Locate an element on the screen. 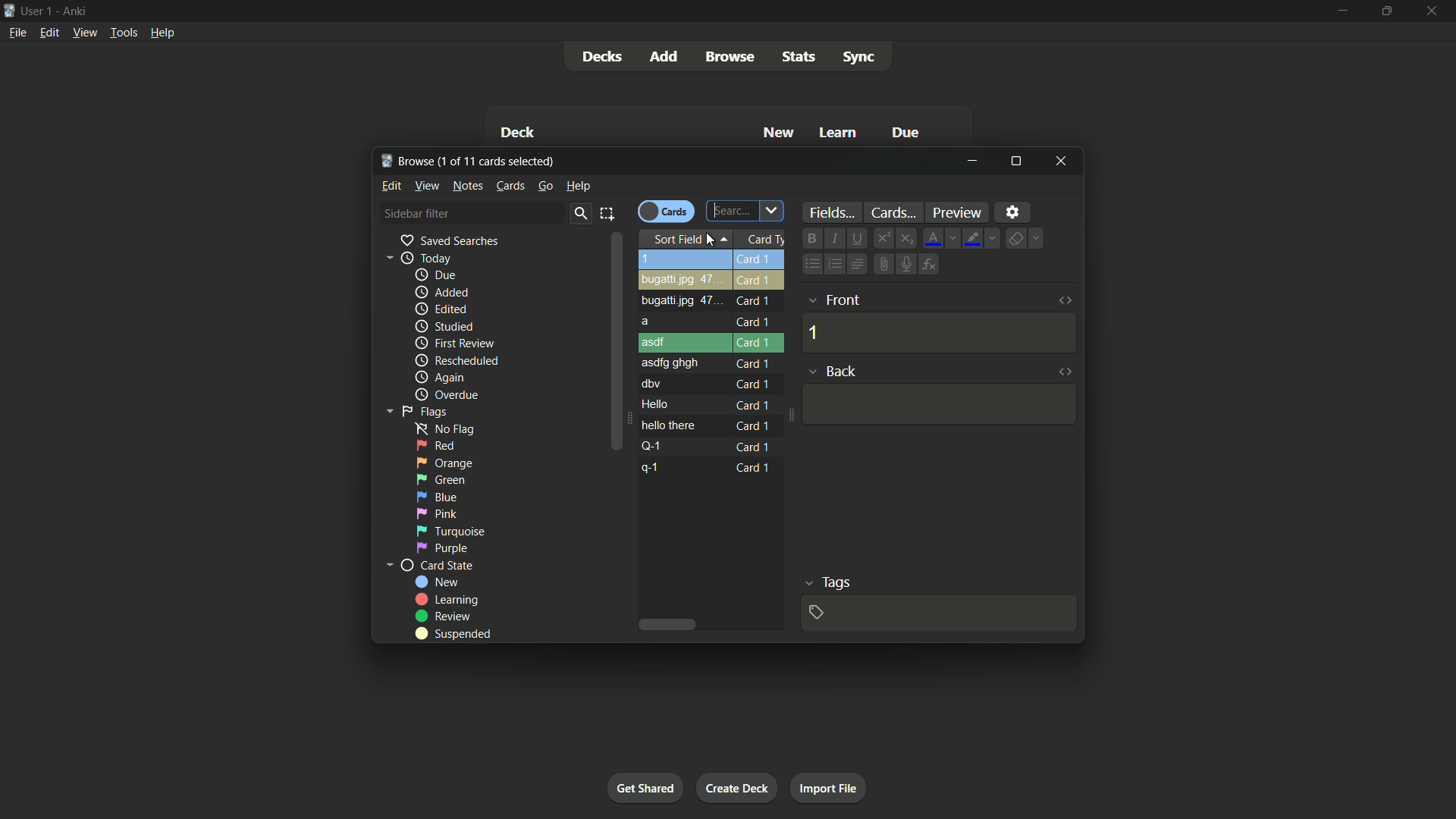  due is located at coordinates (904, 133).